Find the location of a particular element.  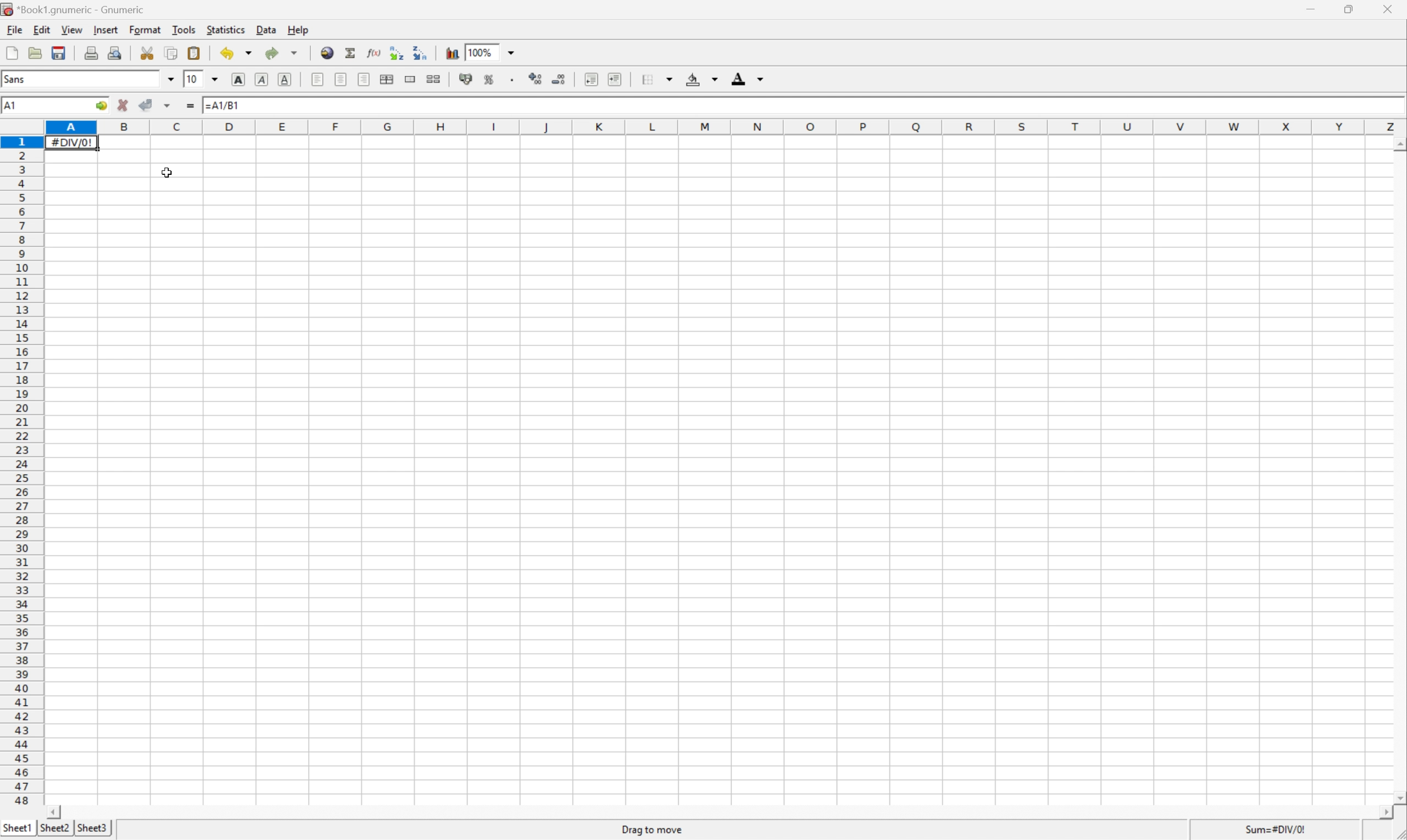

Sort the selected region in ascending order based on the first column selected is located at coordinates (395, 53).